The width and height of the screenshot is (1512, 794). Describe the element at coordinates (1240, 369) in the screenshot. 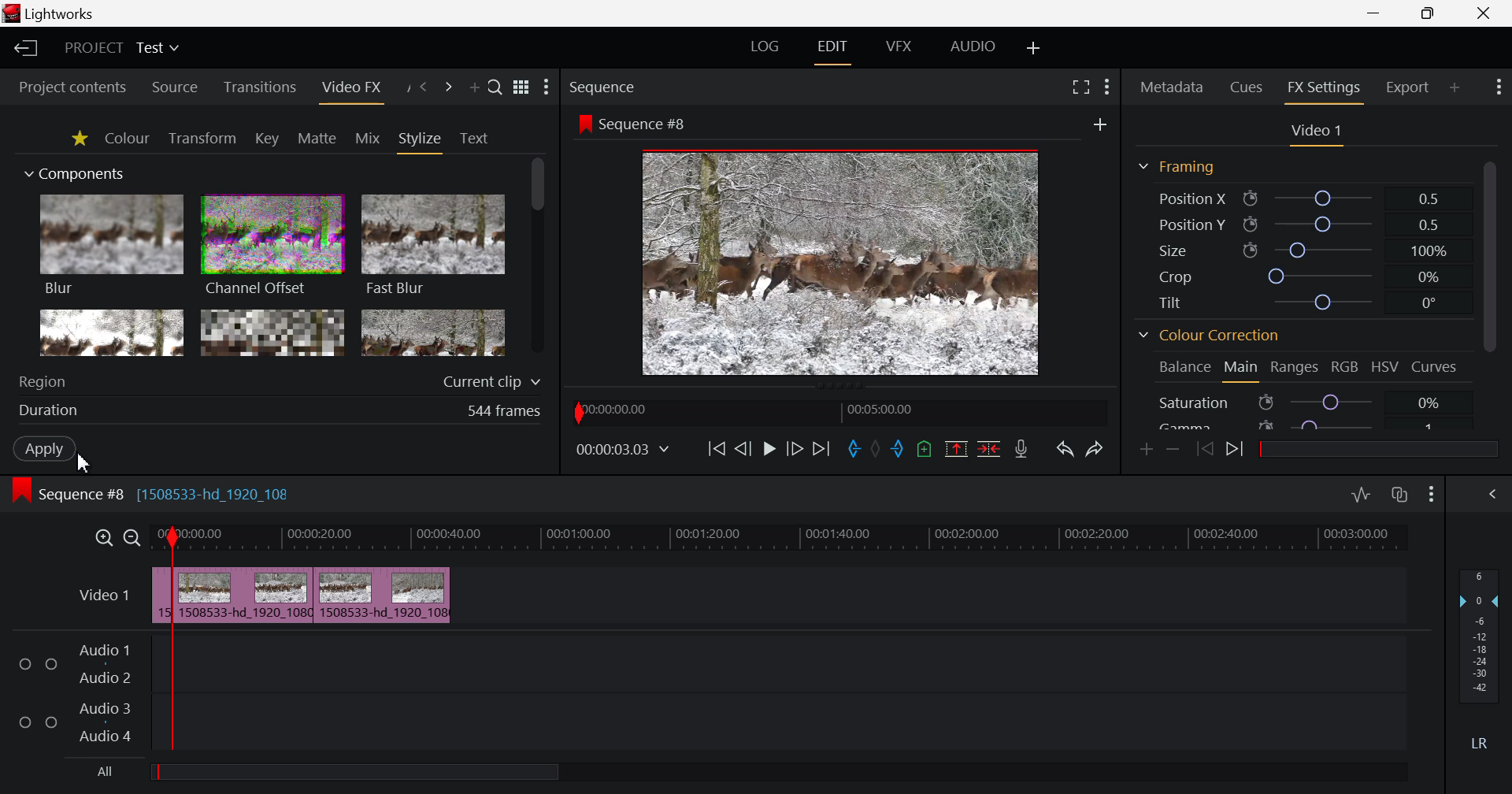

I see `Main Tab Open` at that location.